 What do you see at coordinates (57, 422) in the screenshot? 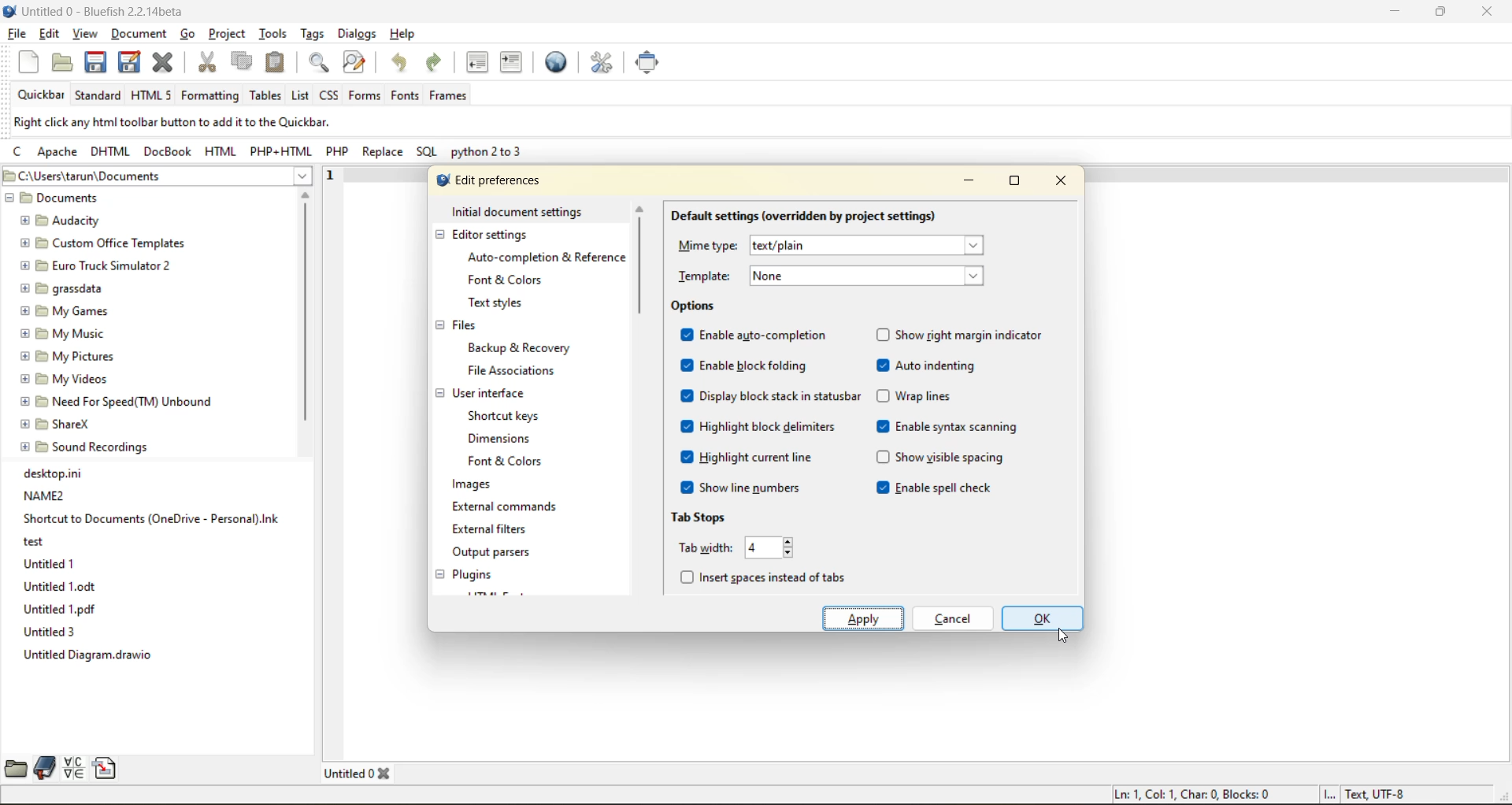
I see `® EB ShareX` at bounding box center [57, 422].